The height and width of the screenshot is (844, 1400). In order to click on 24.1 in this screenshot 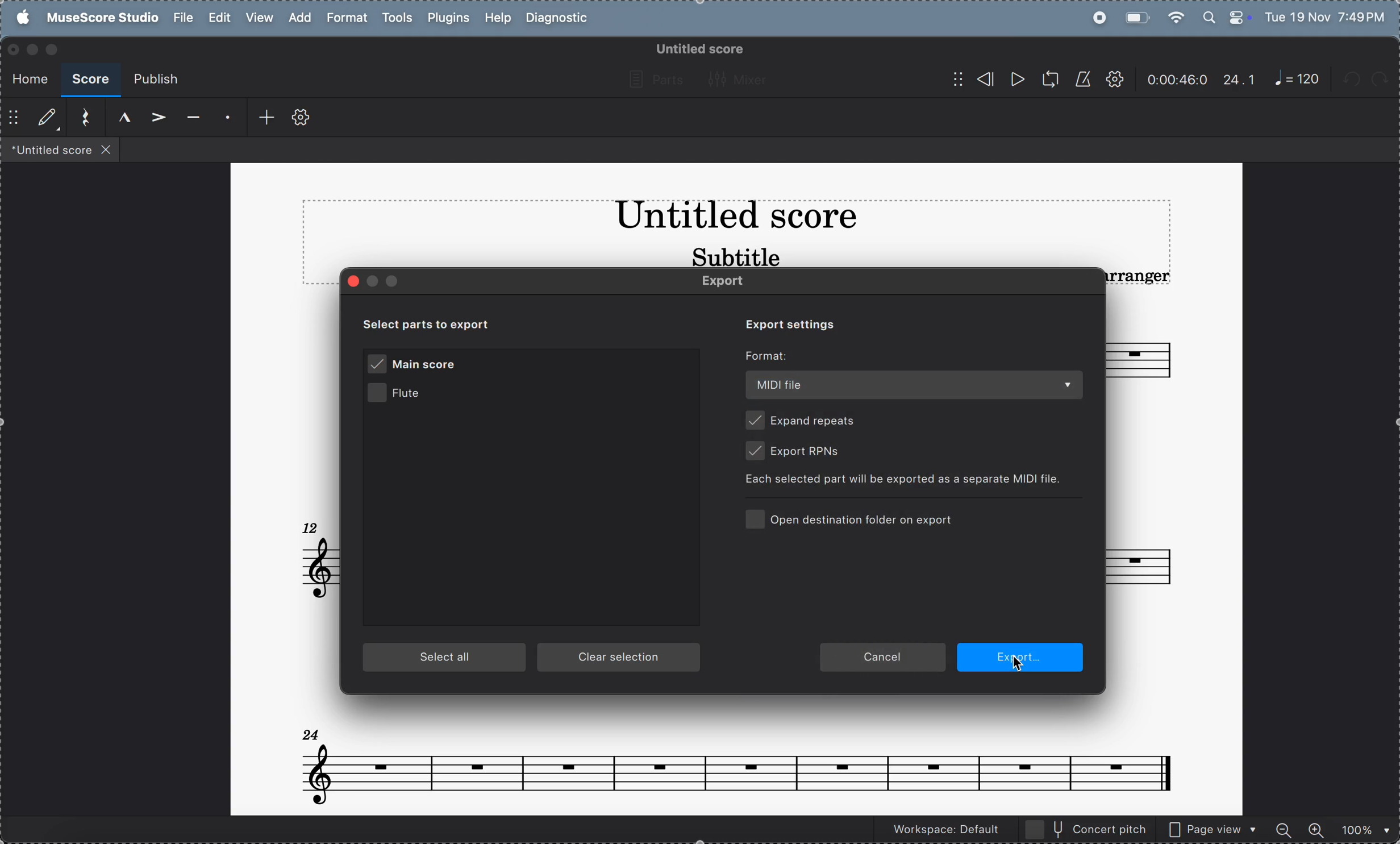, I will do `click(1239, 80)`.